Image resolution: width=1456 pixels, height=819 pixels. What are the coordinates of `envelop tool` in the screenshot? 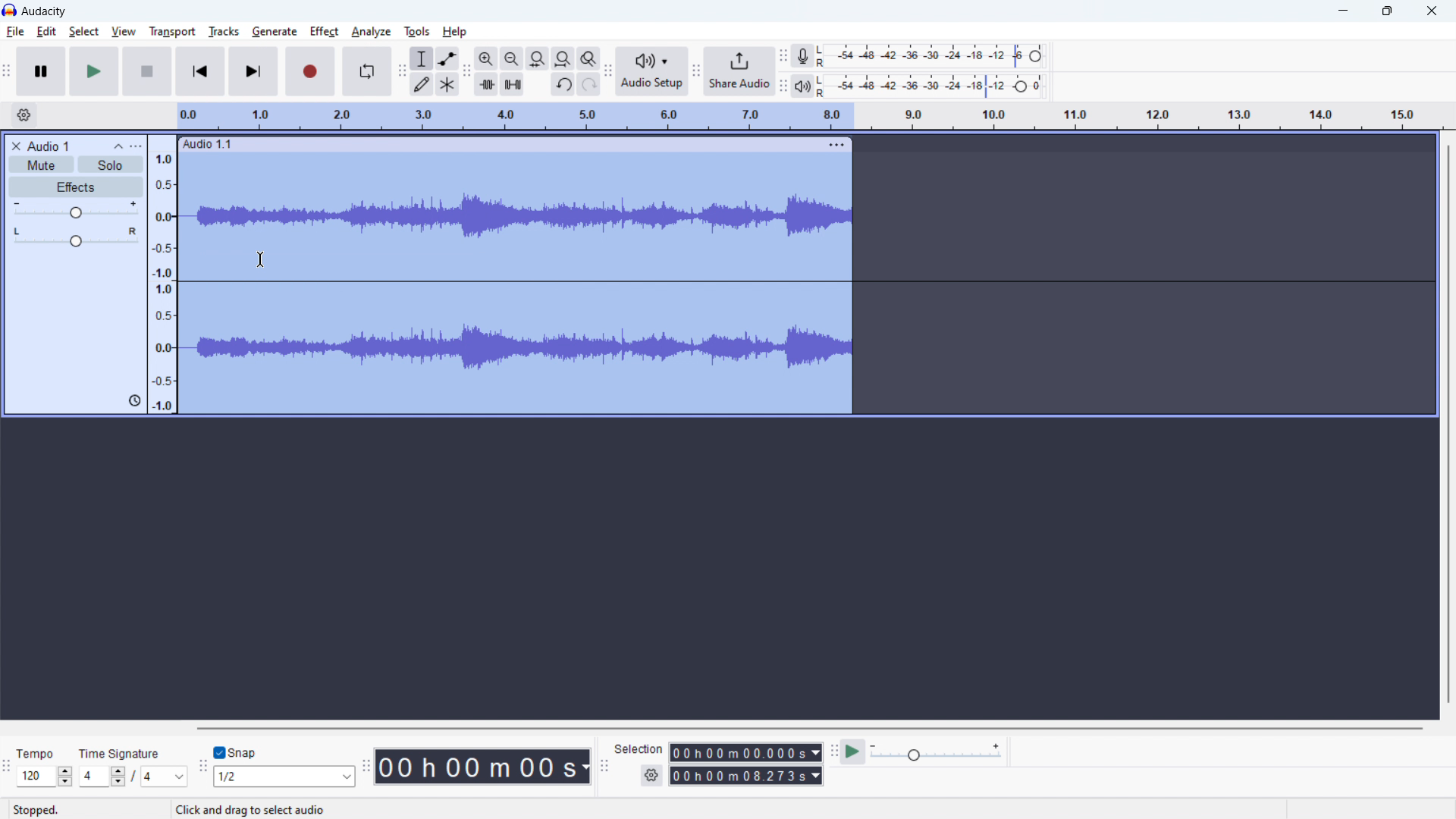 It's located at (447, 58).